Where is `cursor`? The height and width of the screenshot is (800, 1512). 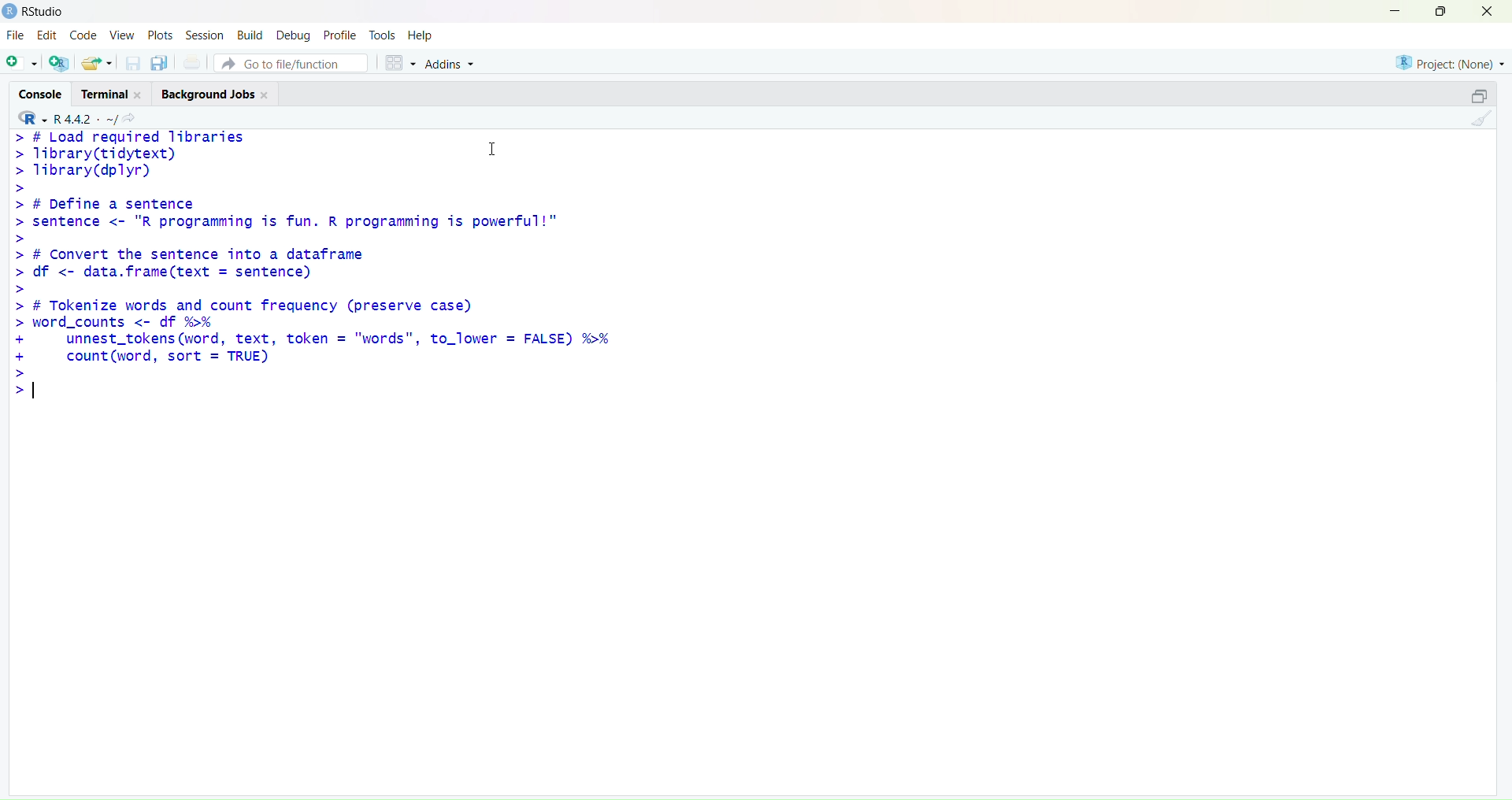
cursor is located at coordinates (494, 150).